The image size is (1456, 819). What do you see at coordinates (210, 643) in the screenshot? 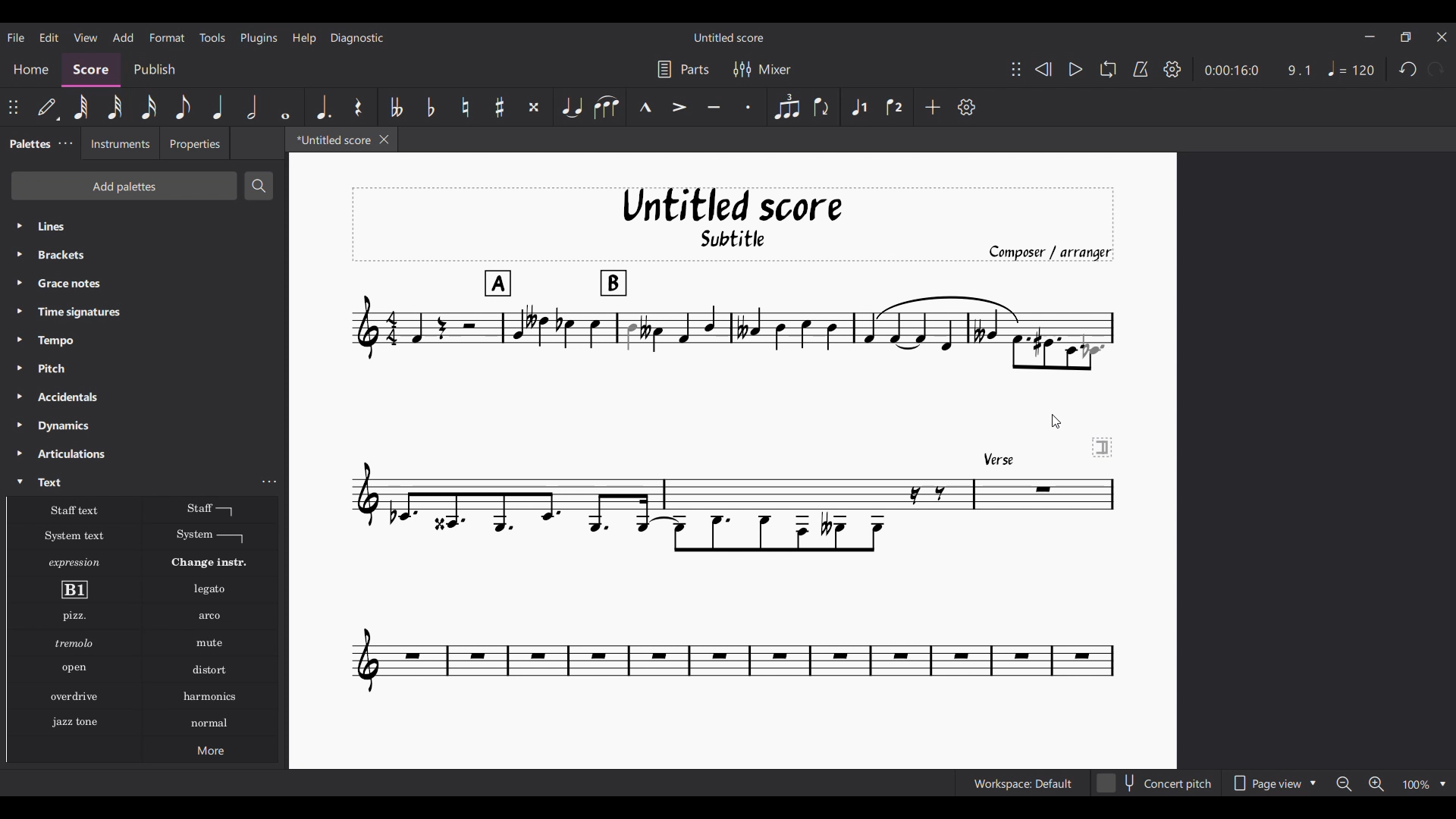
I see `Mute` at bounding box center [210, 643].